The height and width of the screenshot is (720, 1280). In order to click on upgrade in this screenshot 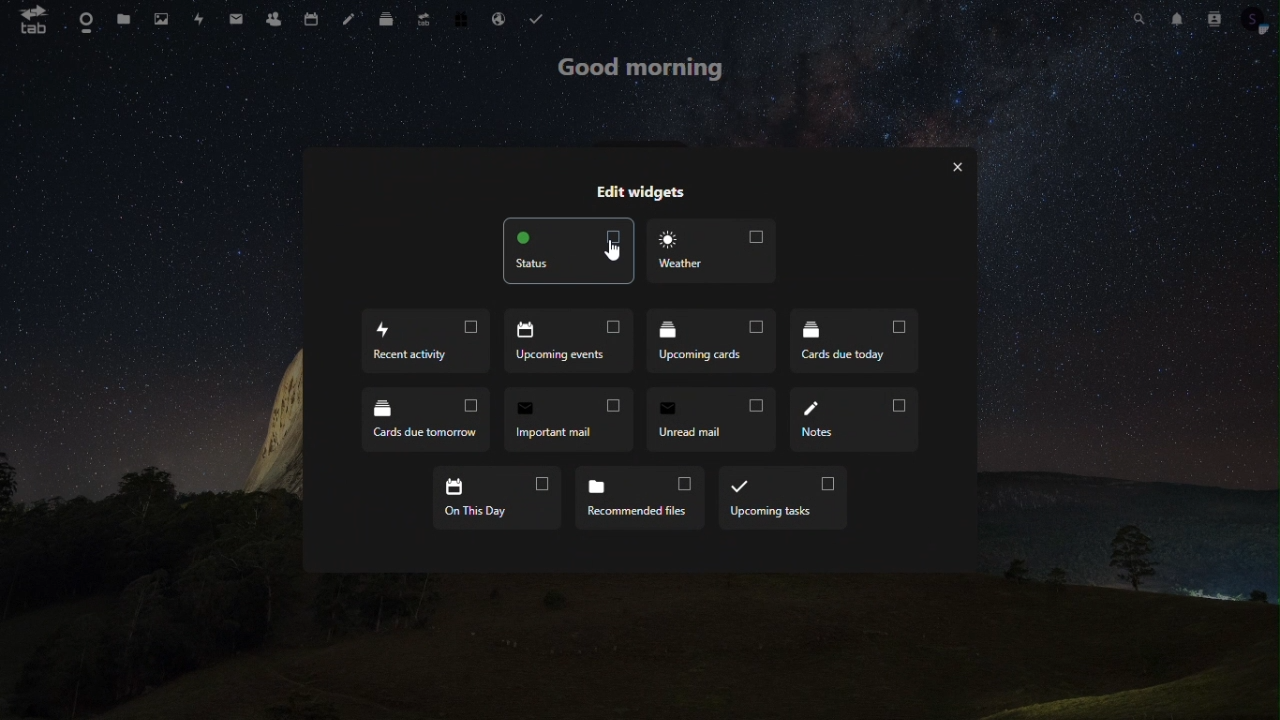, I will do `click(424, 19)`.